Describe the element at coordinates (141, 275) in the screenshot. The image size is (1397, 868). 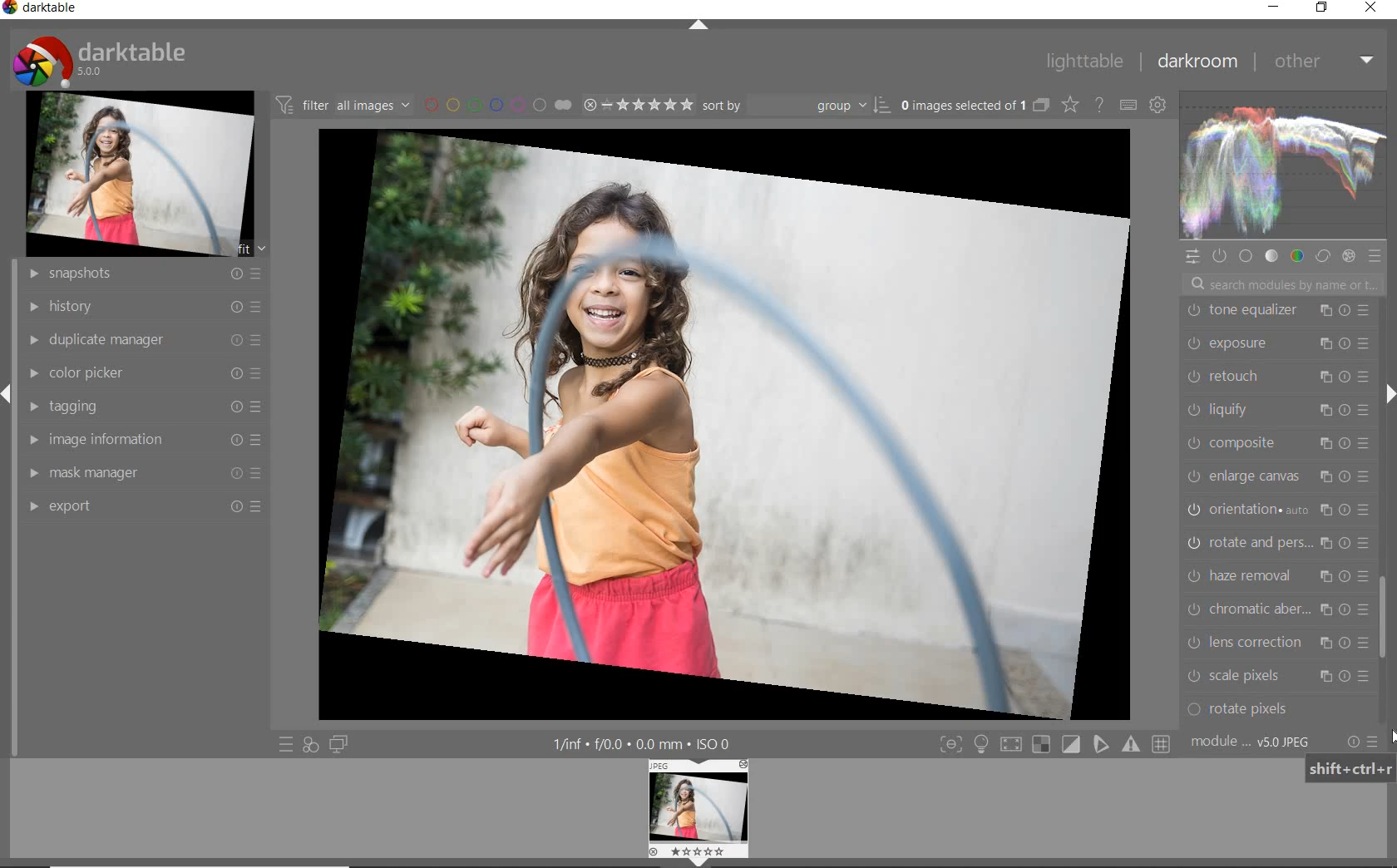
I see `snapshots` at that location.